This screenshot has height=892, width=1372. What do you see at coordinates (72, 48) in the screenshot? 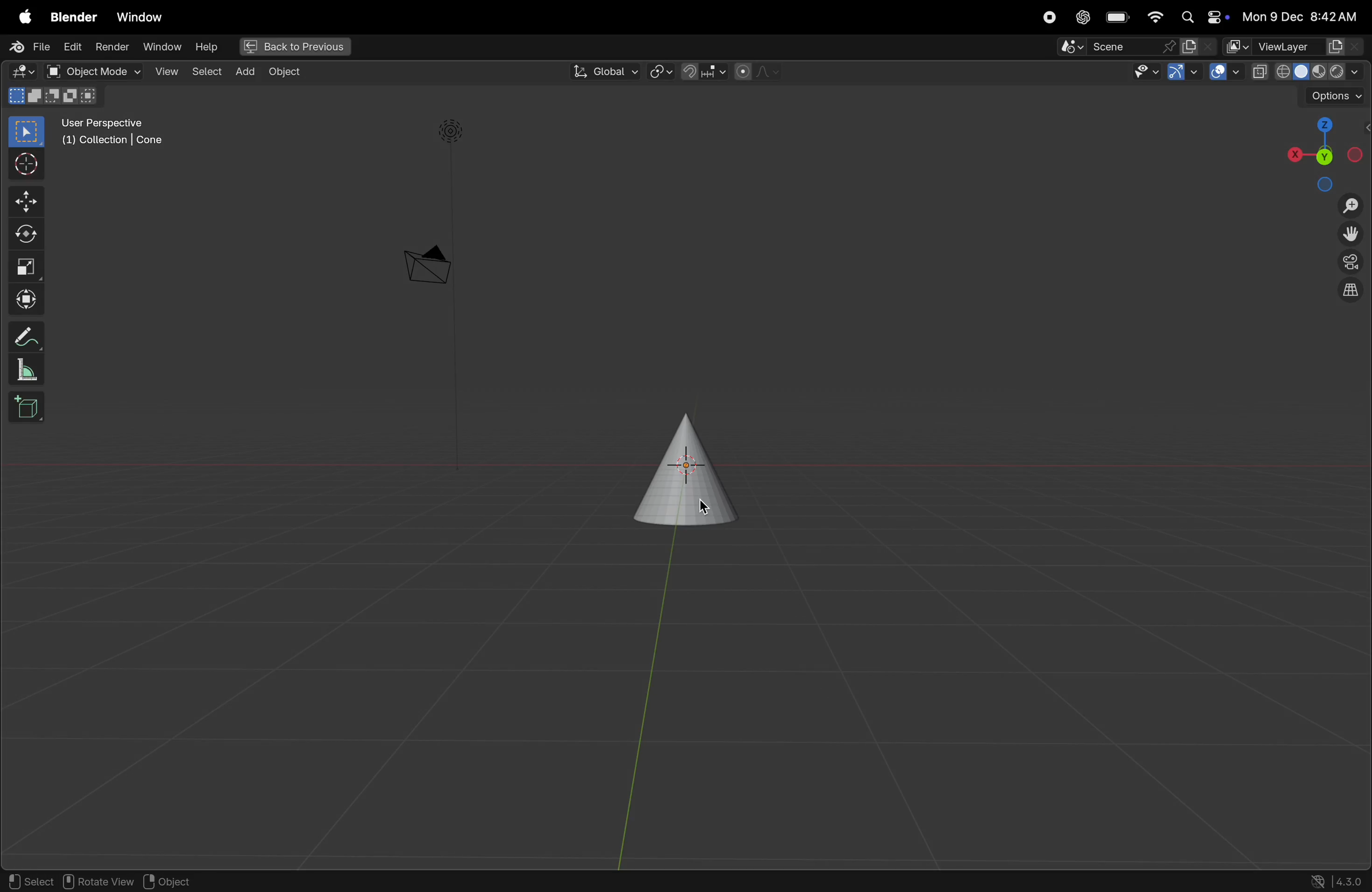
I see `Edit` at bounding box center [72, 48].